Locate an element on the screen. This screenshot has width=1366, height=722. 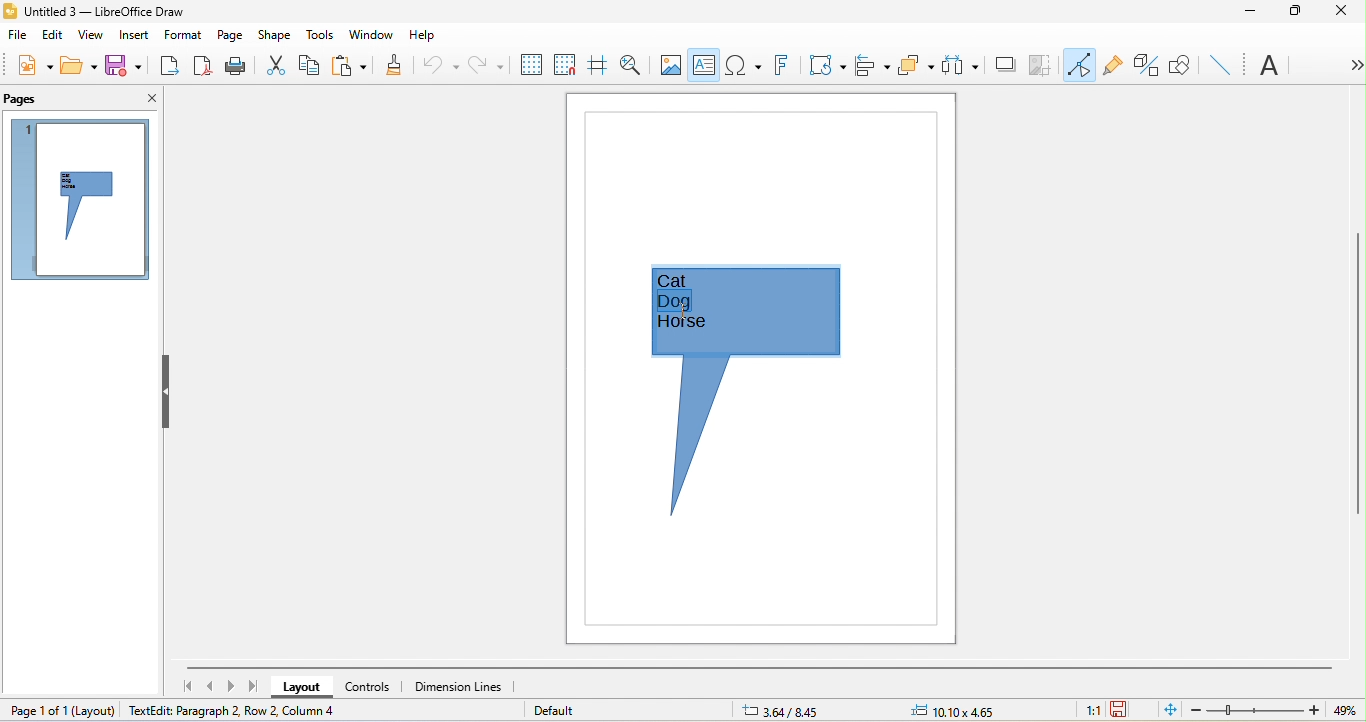
copy is located at coordinates (310, 65).